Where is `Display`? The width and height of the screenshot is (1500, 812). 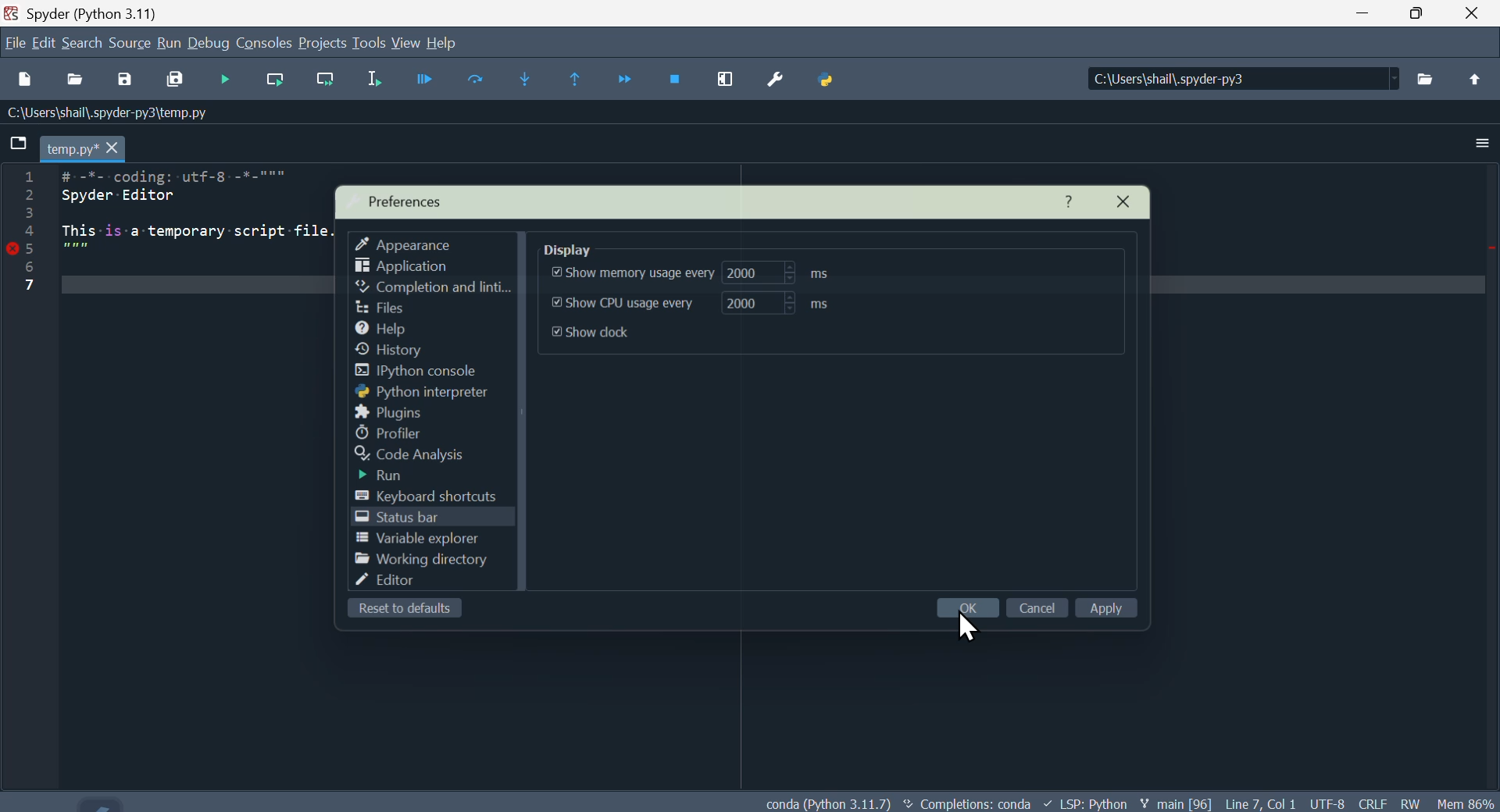 Display is located at coordinates (587, 244).